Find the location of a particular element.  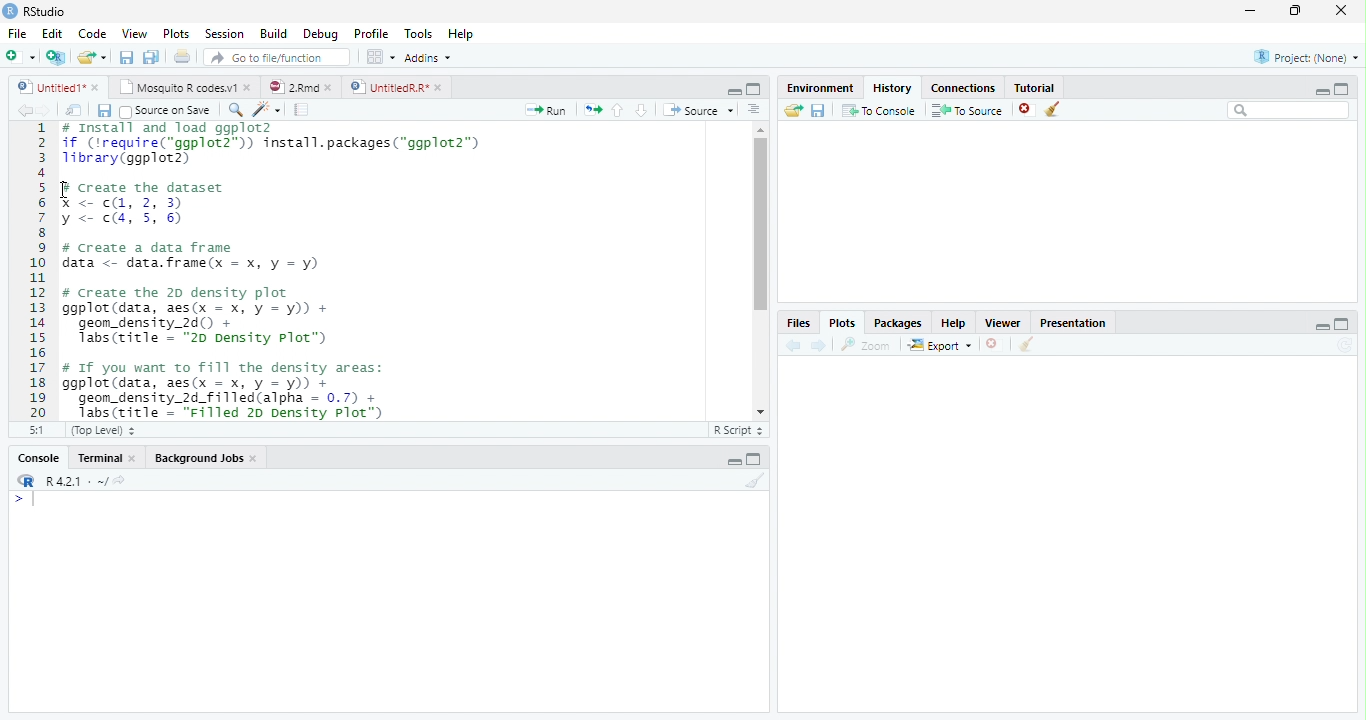

UnttiedR Rr” is located at coordinates (387, 86).